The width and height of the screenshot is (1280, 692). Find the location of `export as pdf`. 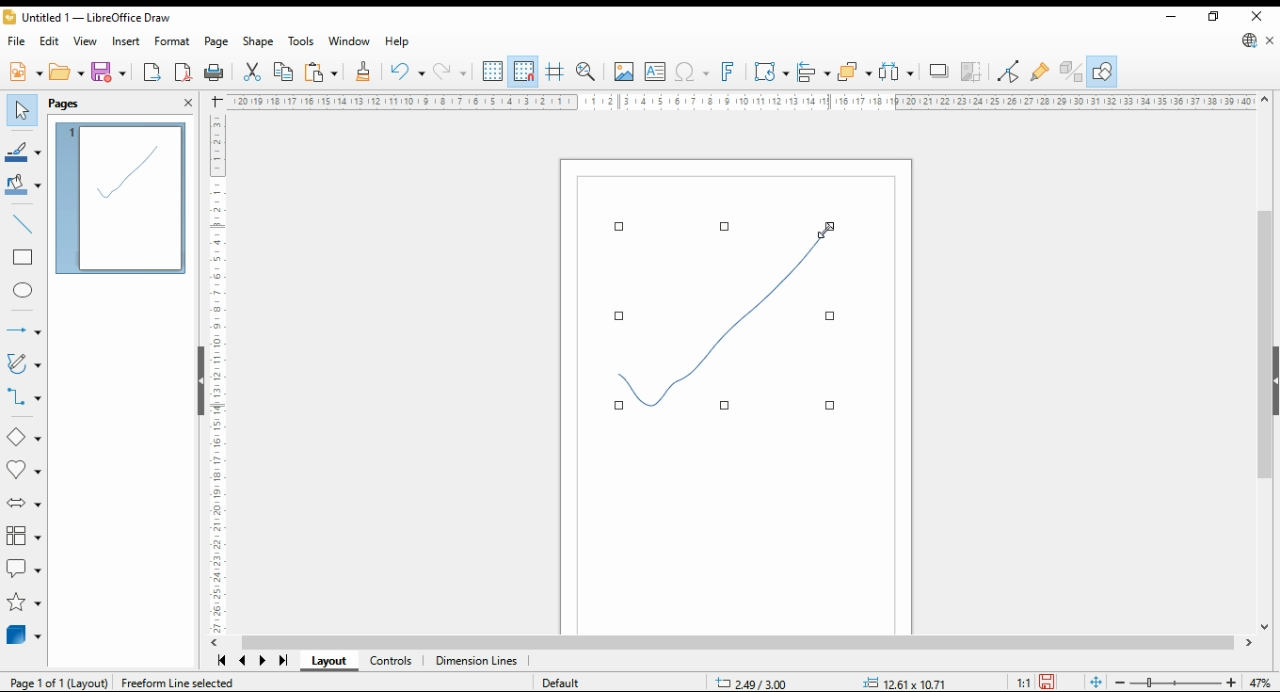

export as pdf is located at coordinates (183, 73).